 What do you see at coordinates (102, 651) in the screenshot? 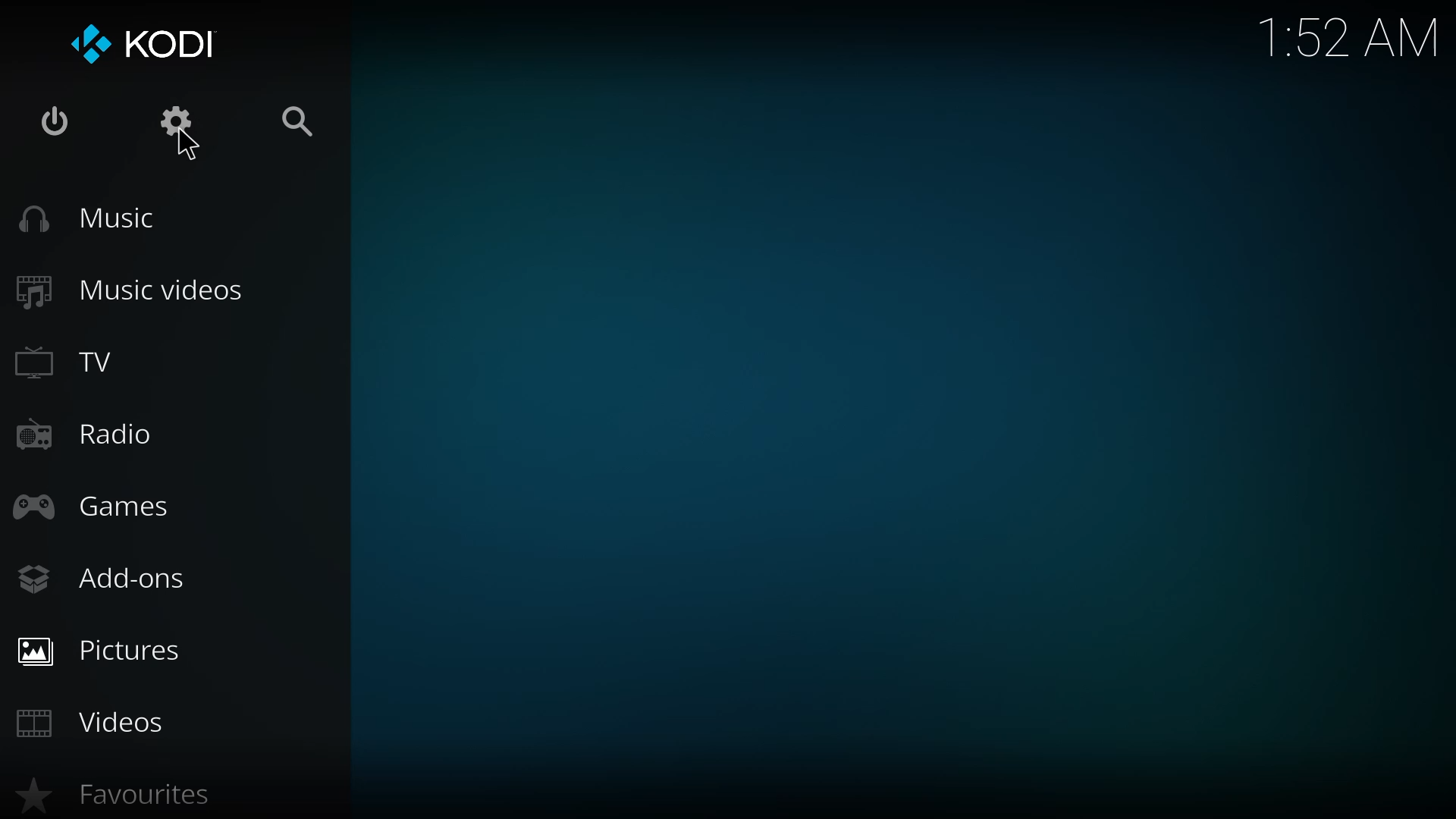
I see `pictures` at bounding box center [102, 651].